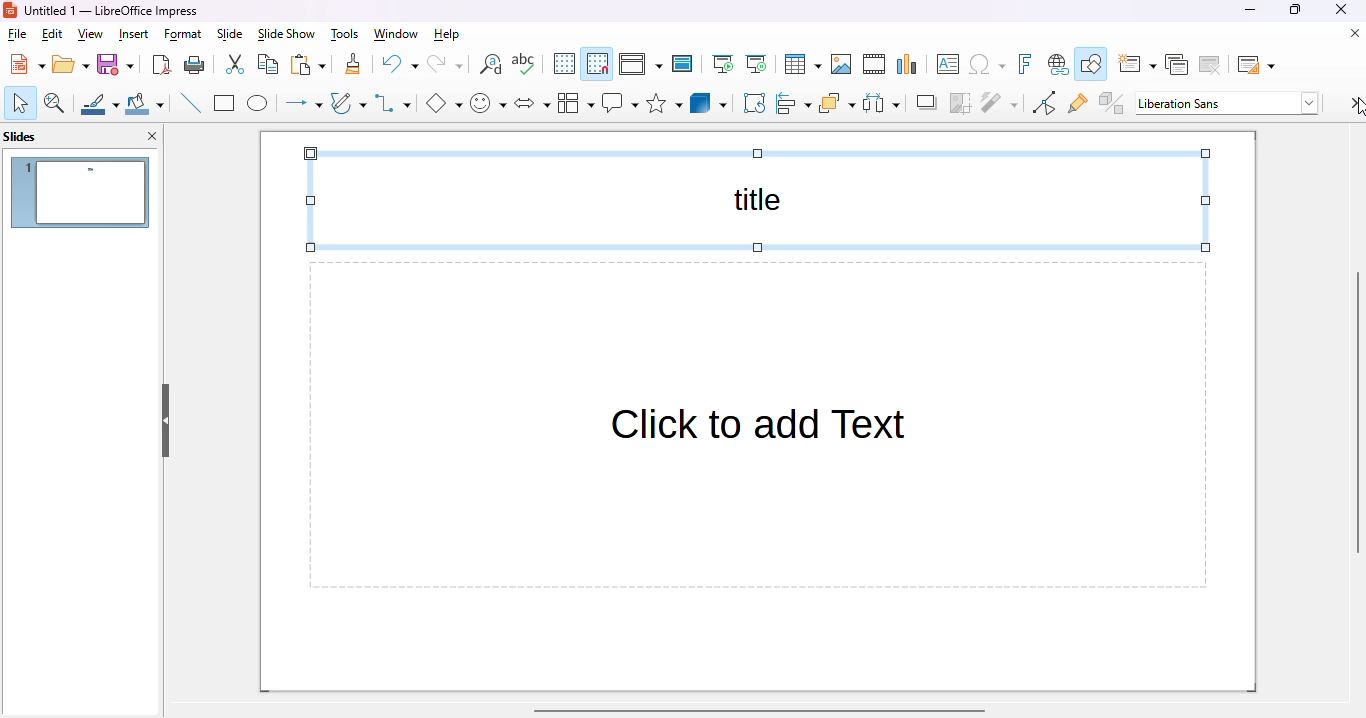 This screenshot has height=718, width=1366. I want to click on show gluepoint functions, so click(1078, 103).